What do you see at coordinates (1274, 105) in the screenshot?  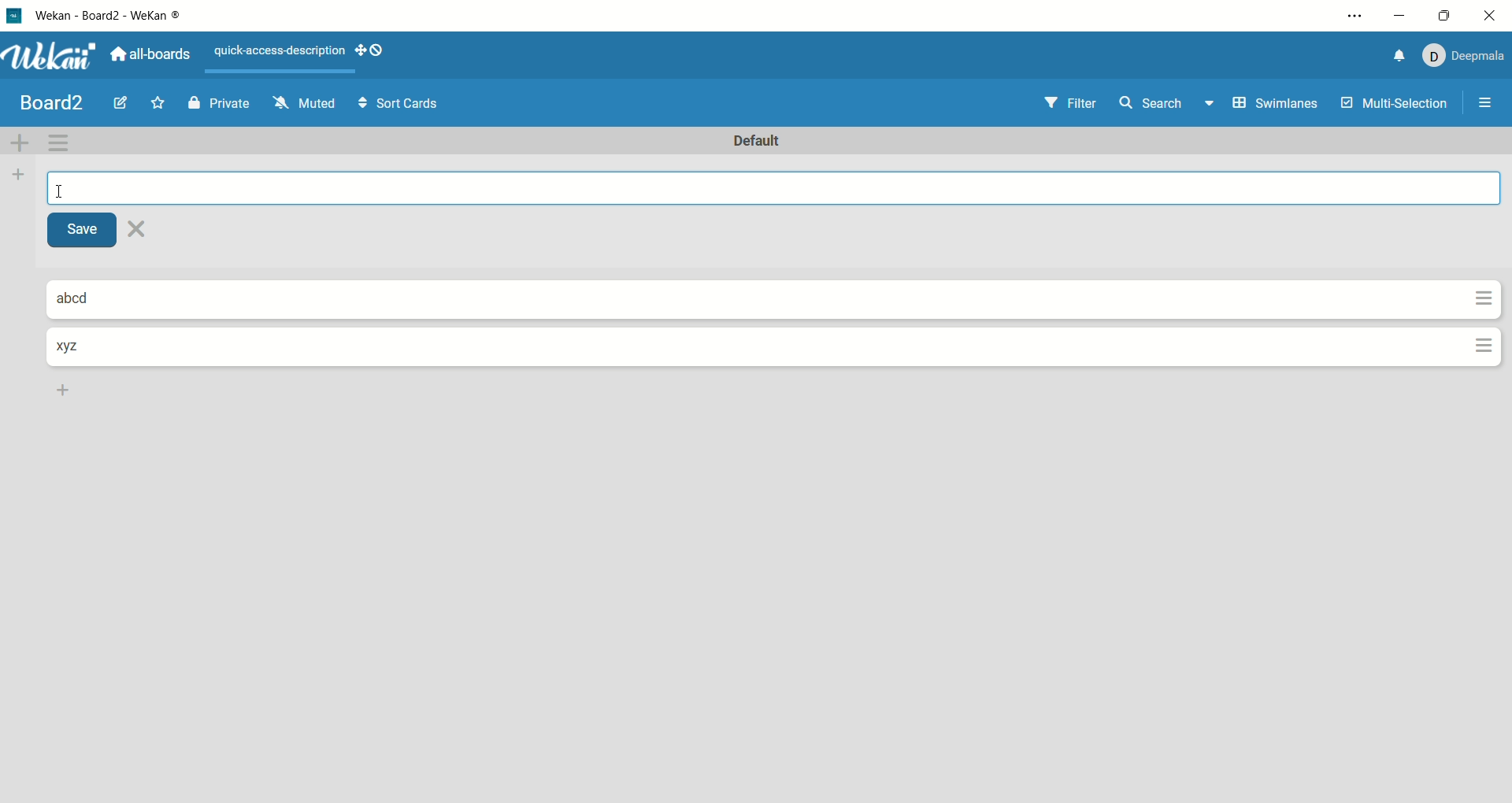 I see `swimlanes` at bounding box center [1274, 105].